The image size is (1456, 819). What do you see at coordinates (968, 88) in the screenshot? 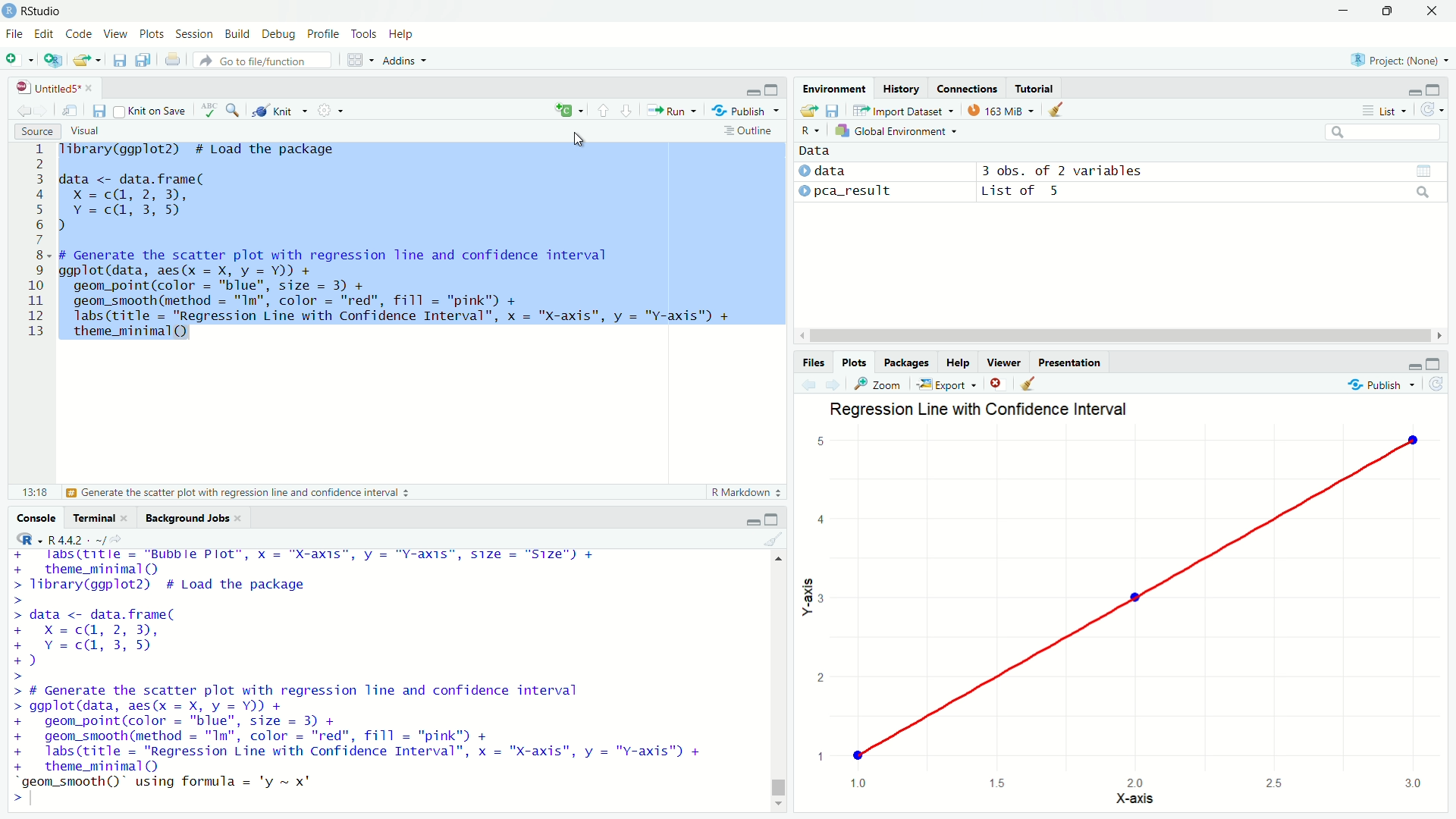
I see `Connections` at bounding box center [968, 88].